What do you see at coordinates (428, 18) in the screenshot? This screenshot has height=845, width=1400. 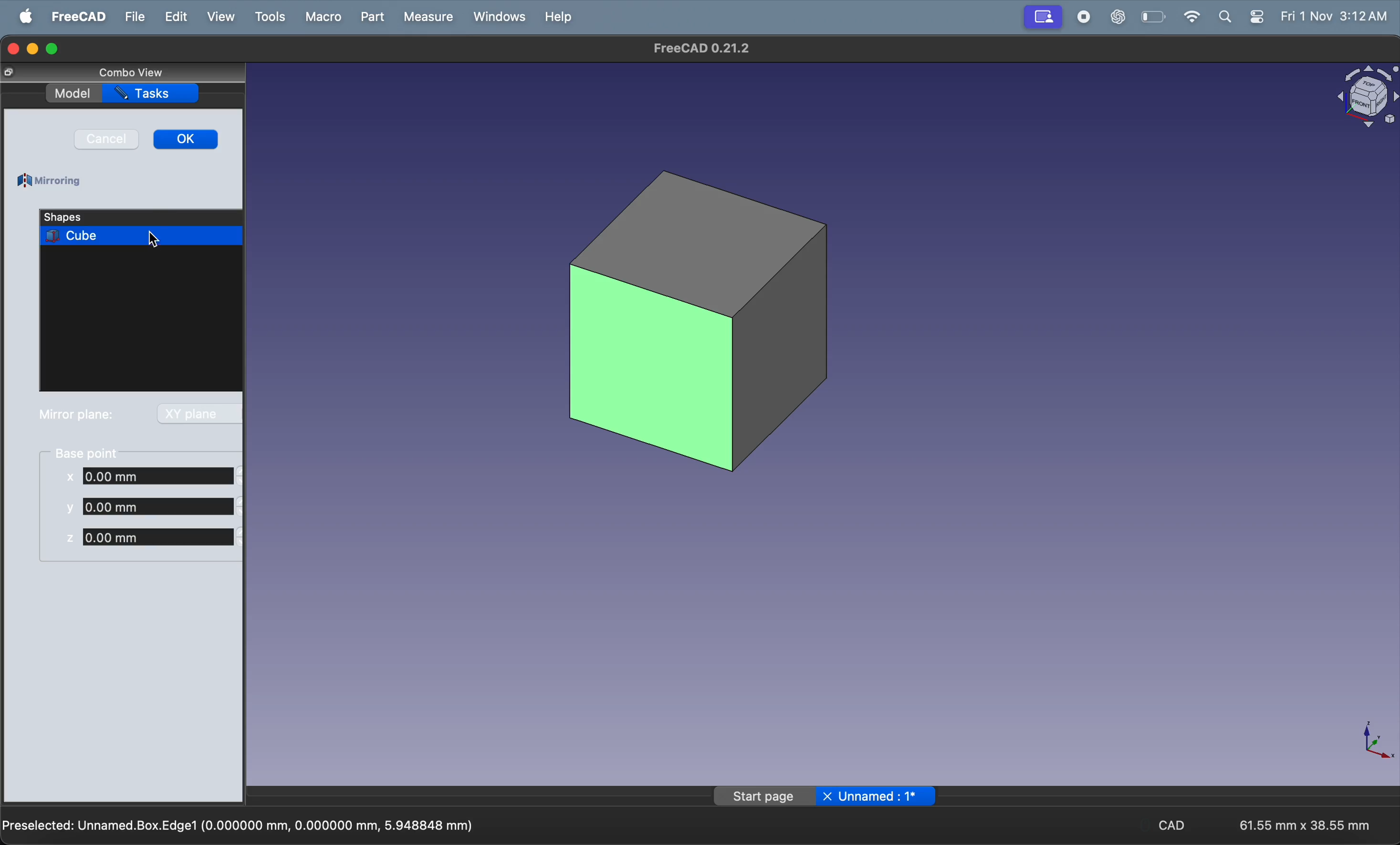 I see `measure` at bounding box center [428, 18].